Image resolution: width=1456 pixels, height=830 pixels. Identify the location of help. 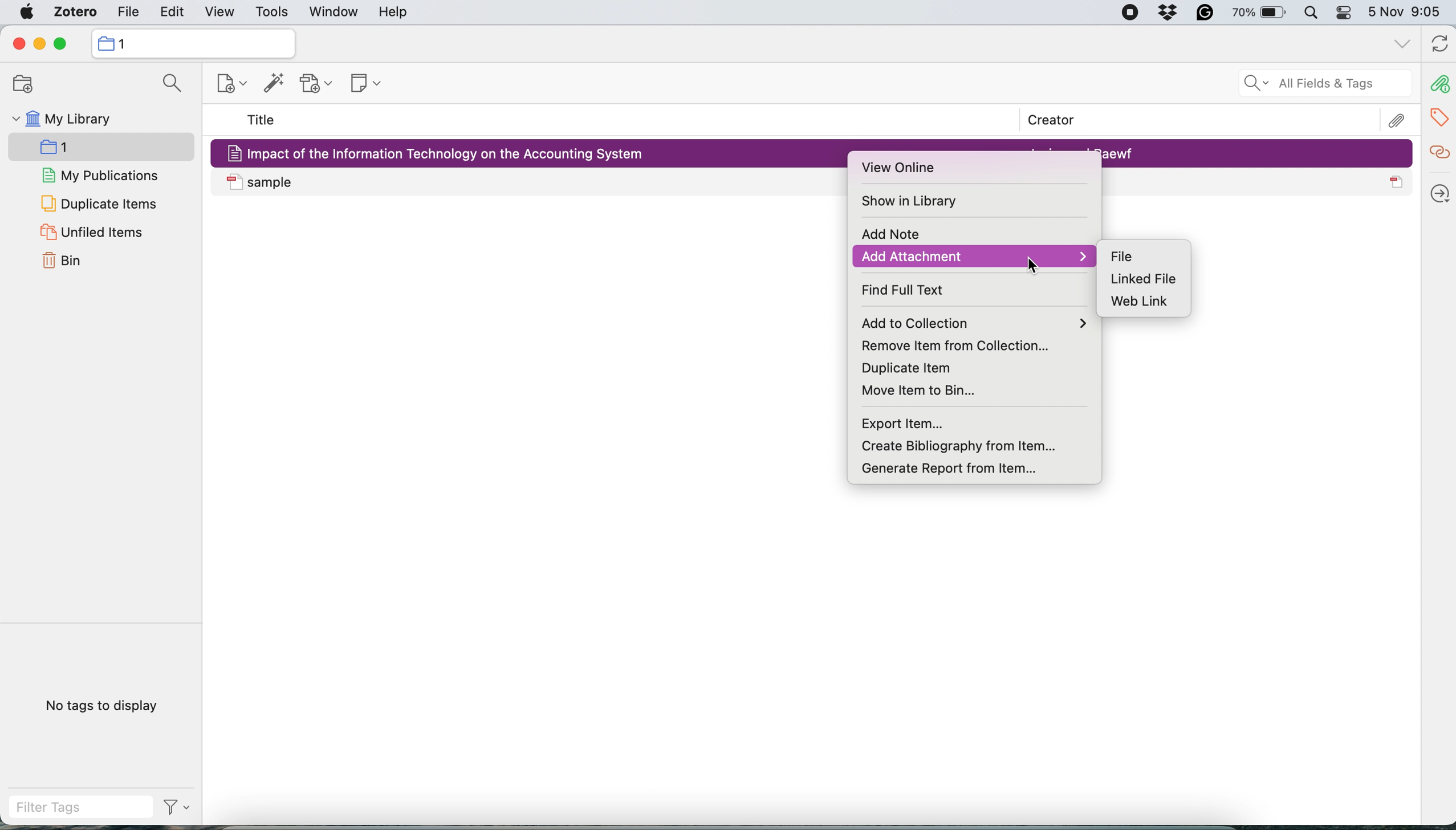
(393, 13).